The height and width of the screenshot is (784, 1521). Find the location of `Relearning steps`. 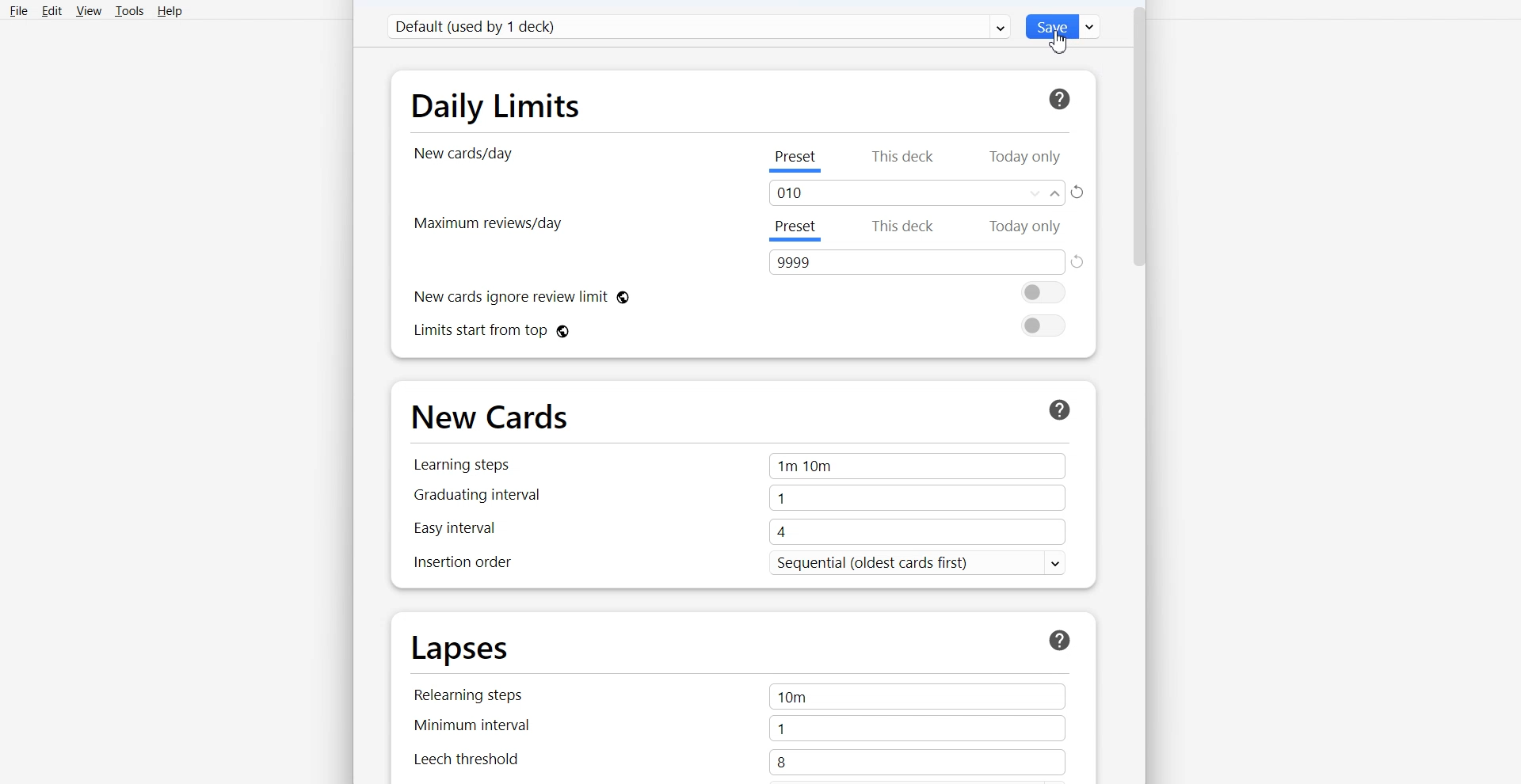

Relearning steps is located at coordinates (475, 695).